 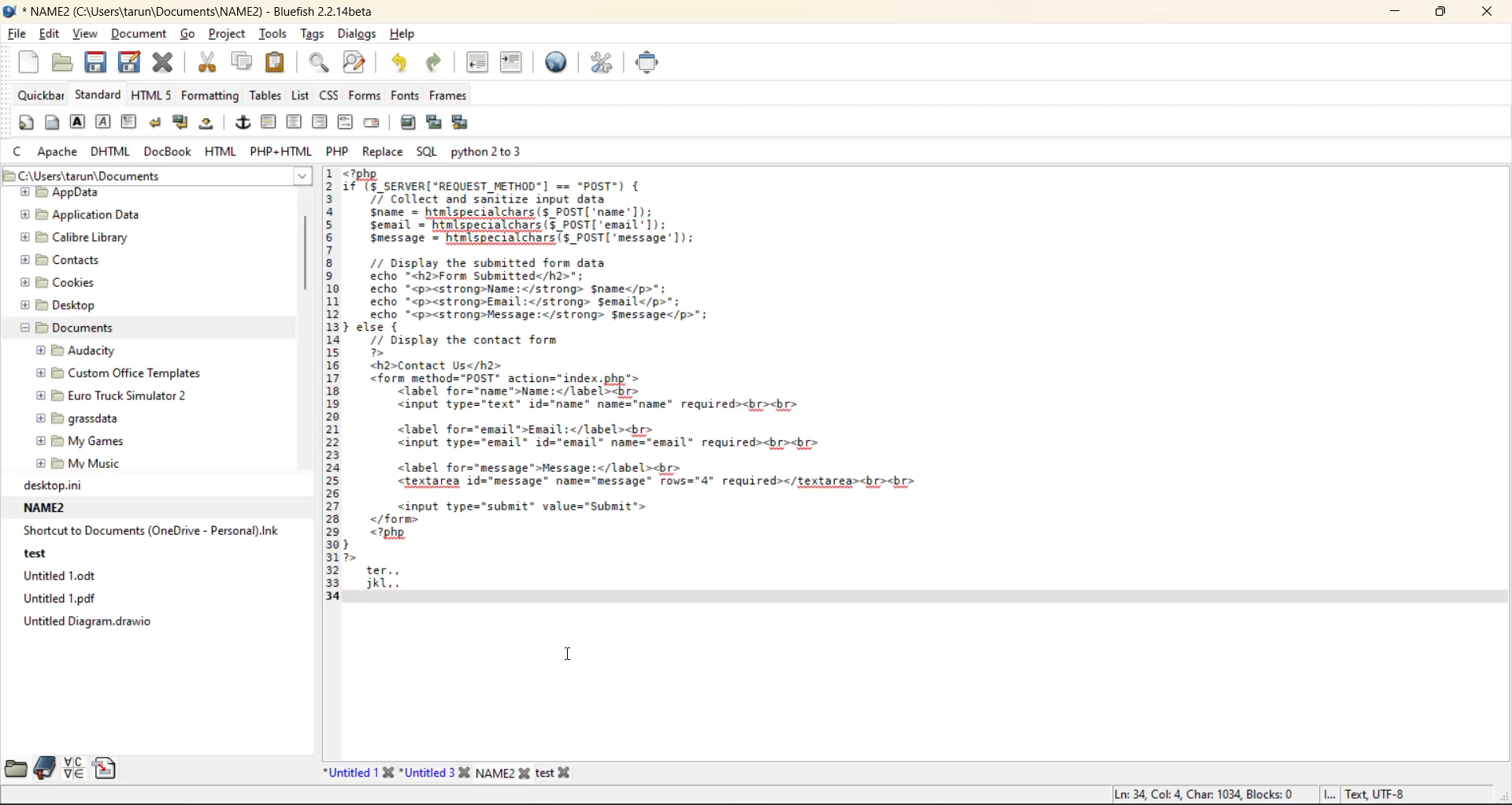 I want to click on test, so click(x=564, y=770).